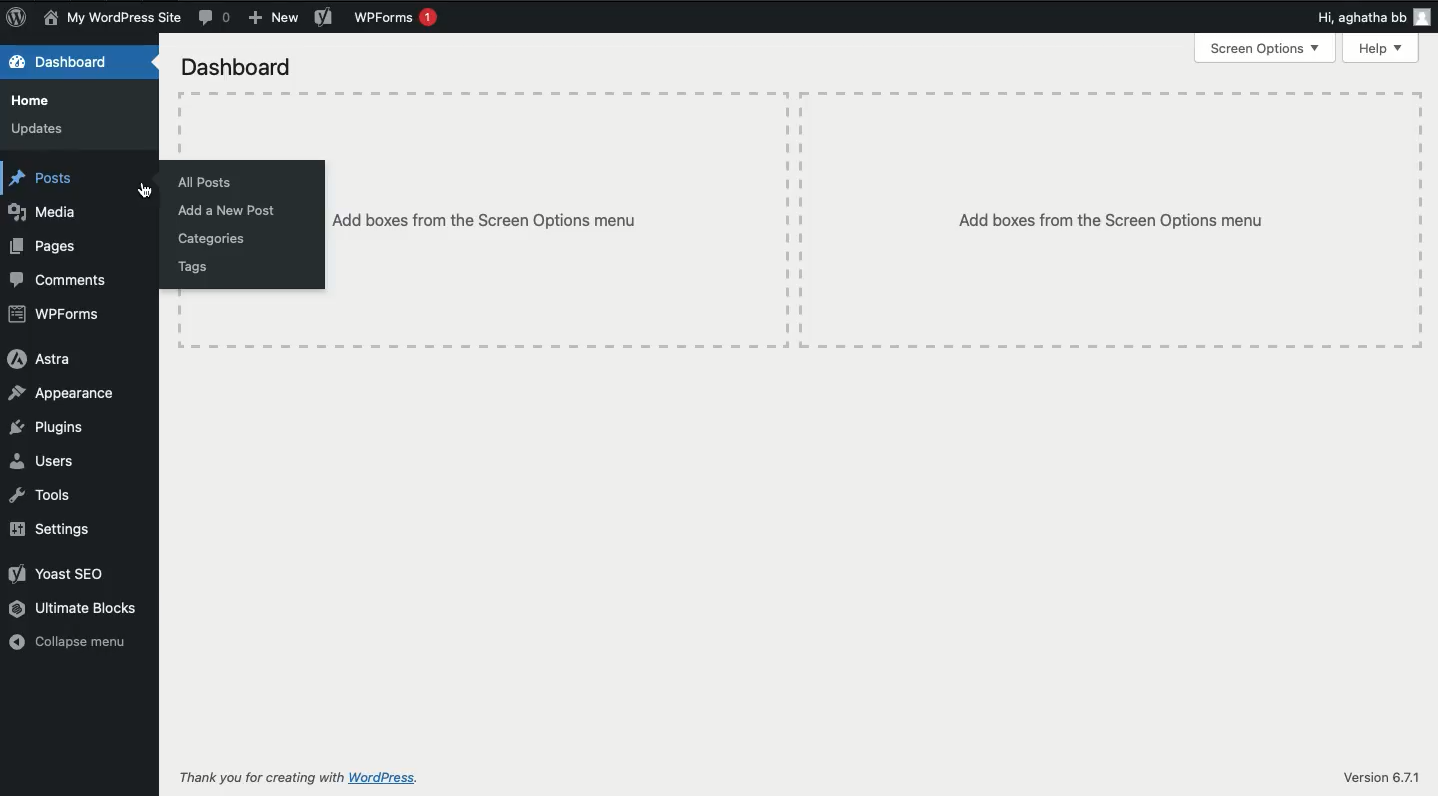 This screenshot has height=796, width=1438. I want to click on Version 6.7.1, so click(1381, 779).